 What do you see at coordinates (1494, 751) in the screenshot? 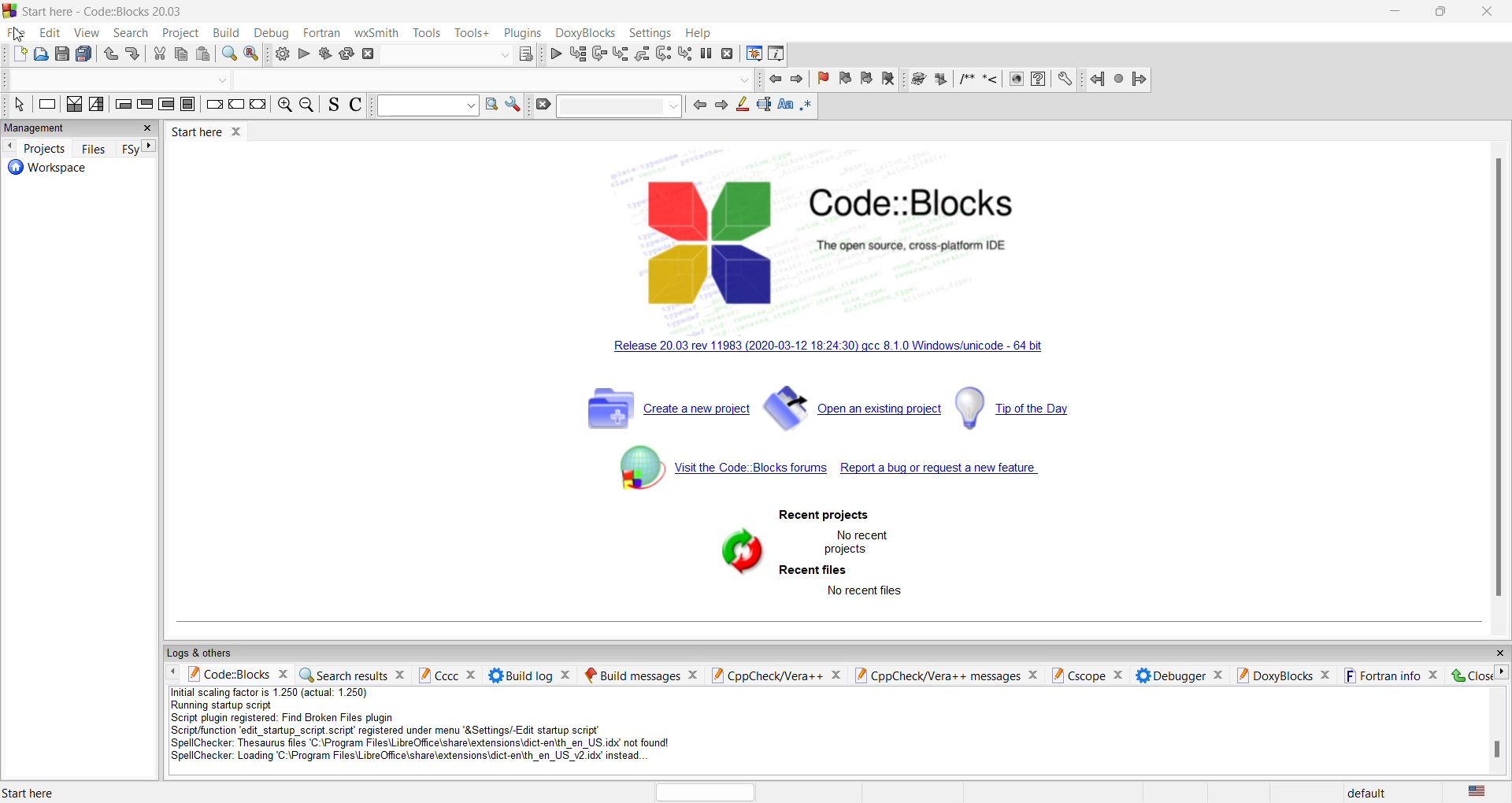
I see `scrollbar` at bounding box center [1494, 751].